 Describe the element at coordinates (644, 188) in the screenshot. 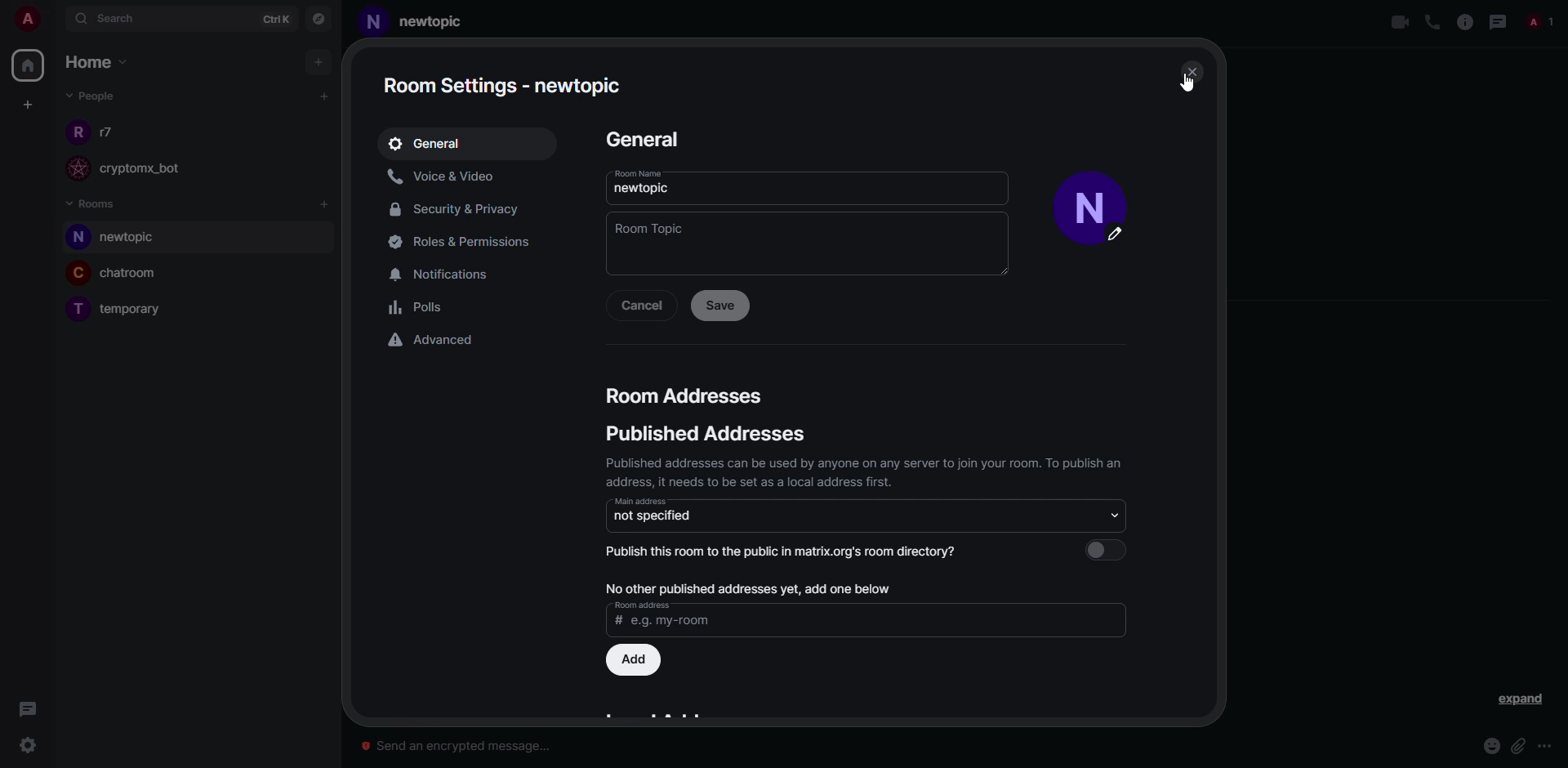

I see `newtopic` at that location.